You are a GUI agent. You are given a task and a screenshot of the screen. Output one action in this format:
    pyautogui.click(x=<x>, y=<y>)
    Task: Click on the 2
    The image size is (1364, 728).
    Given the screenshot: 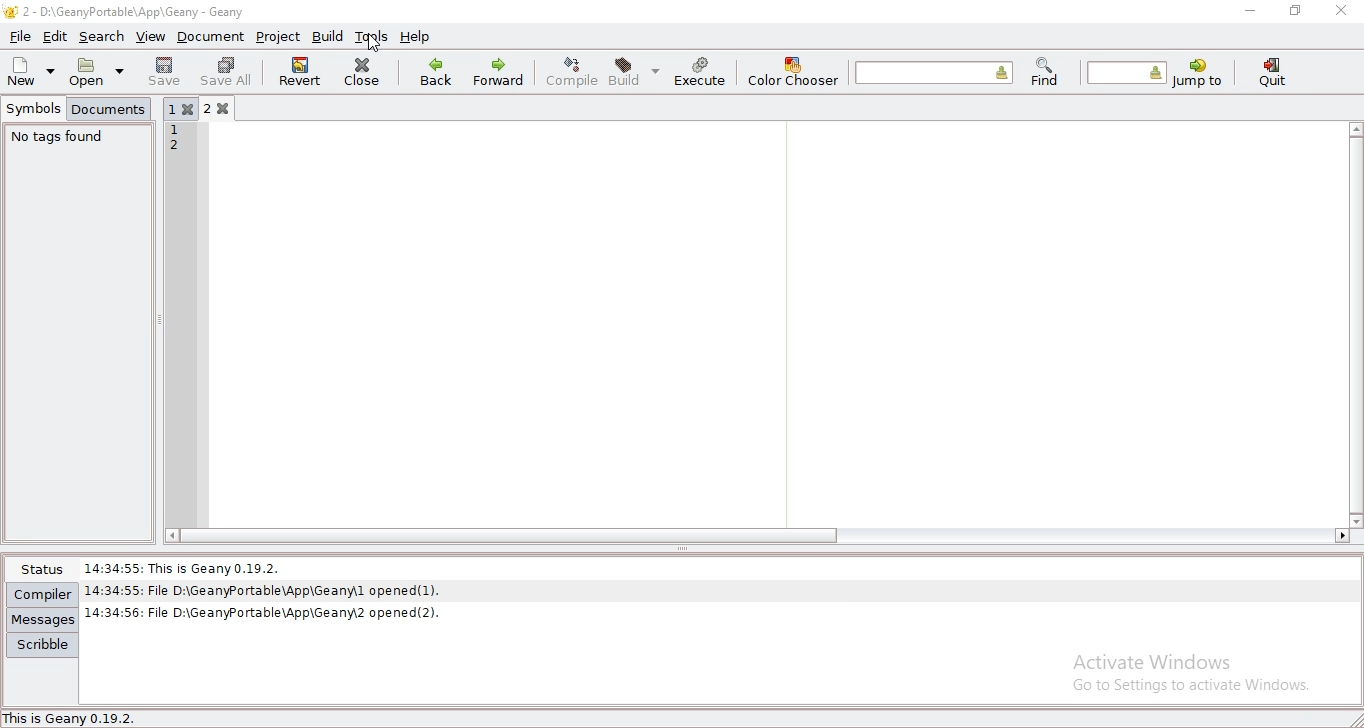 What is the action you would take?
    pyautogui.click(x=224, y=108)
    